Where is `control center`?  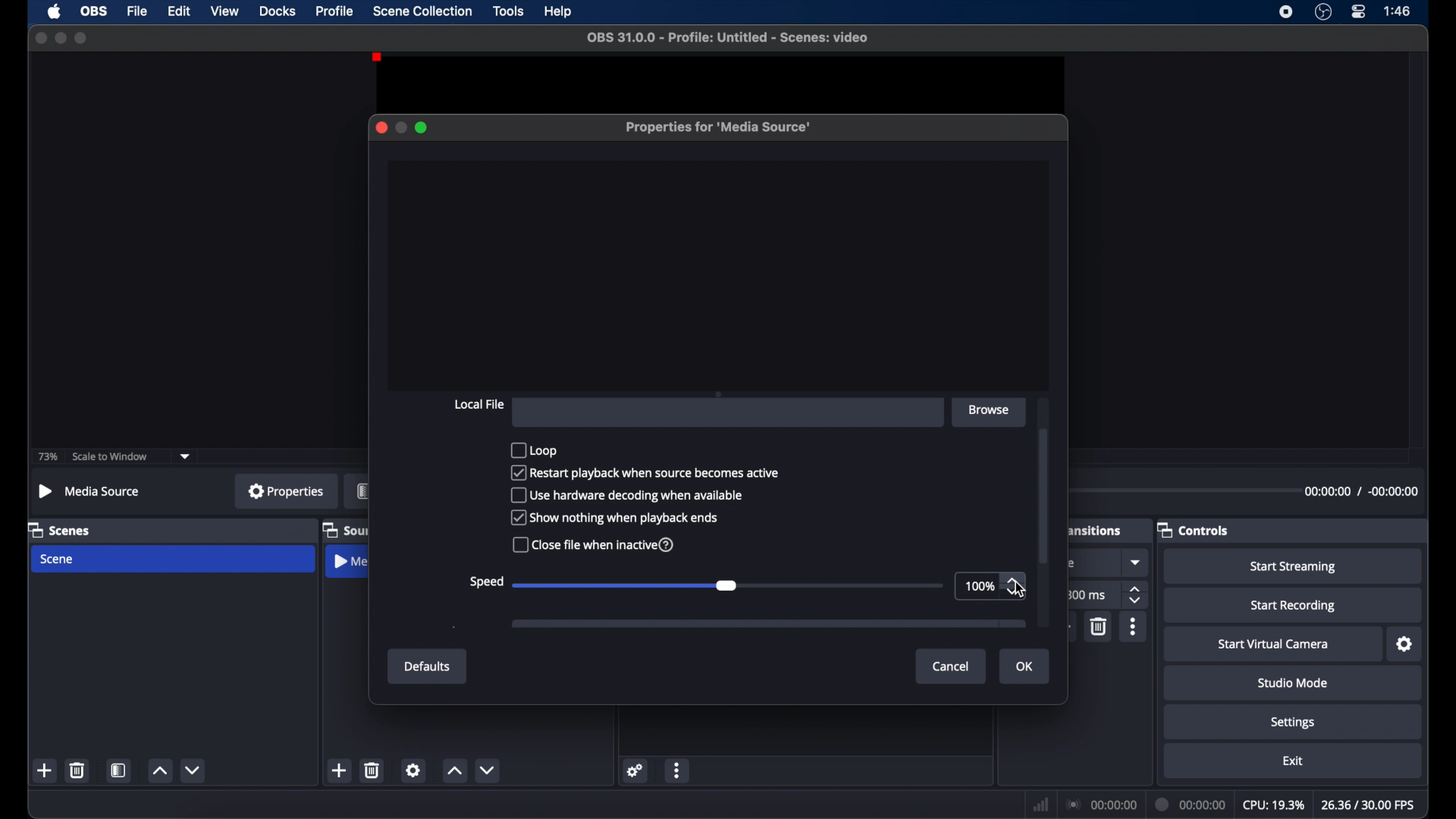
control center is located at coordinates (1359, 11).